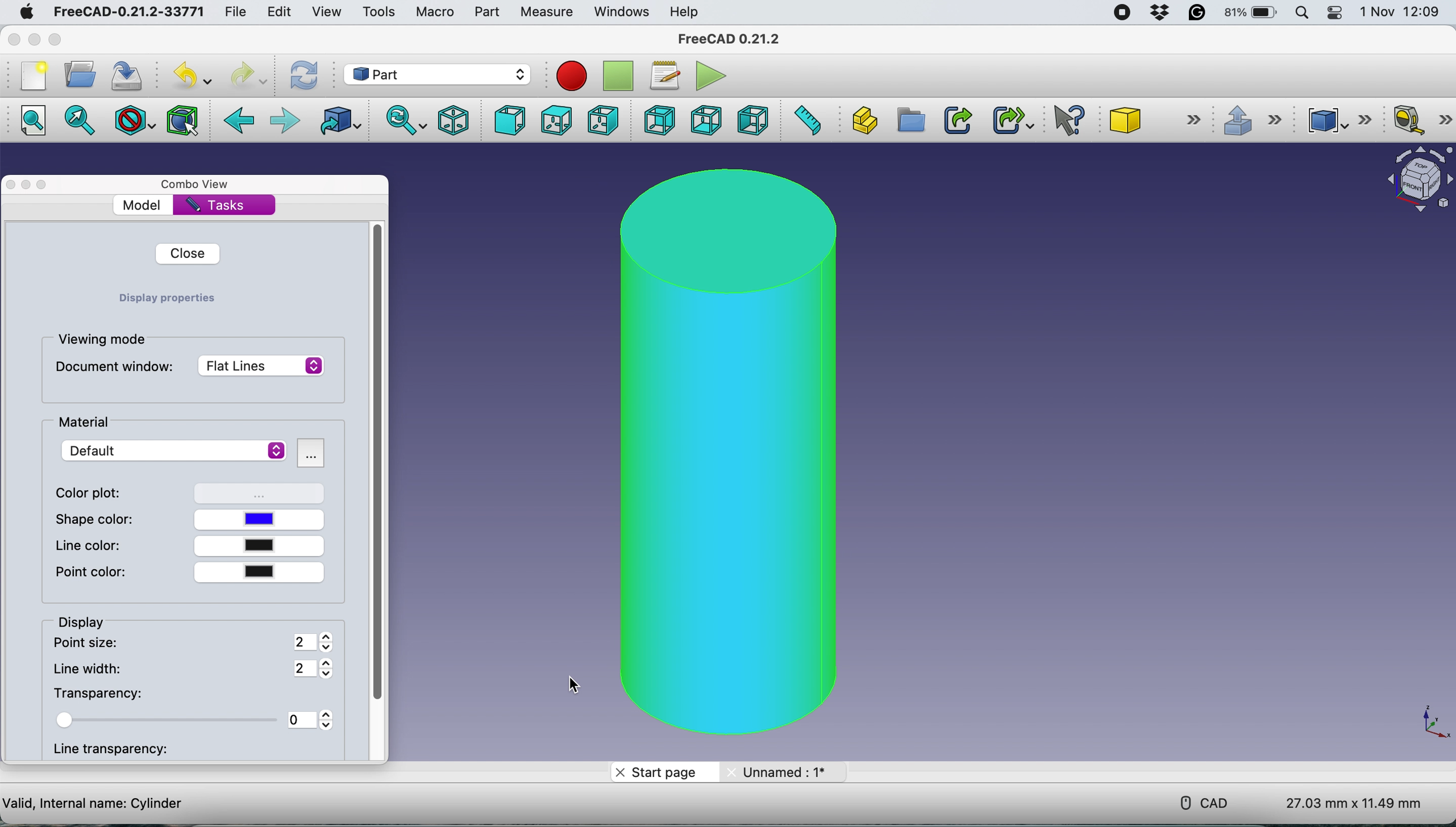  What do you see at coordinates (82, 621) in the screenshot?
I see `display` at bounding box center [82, 621].